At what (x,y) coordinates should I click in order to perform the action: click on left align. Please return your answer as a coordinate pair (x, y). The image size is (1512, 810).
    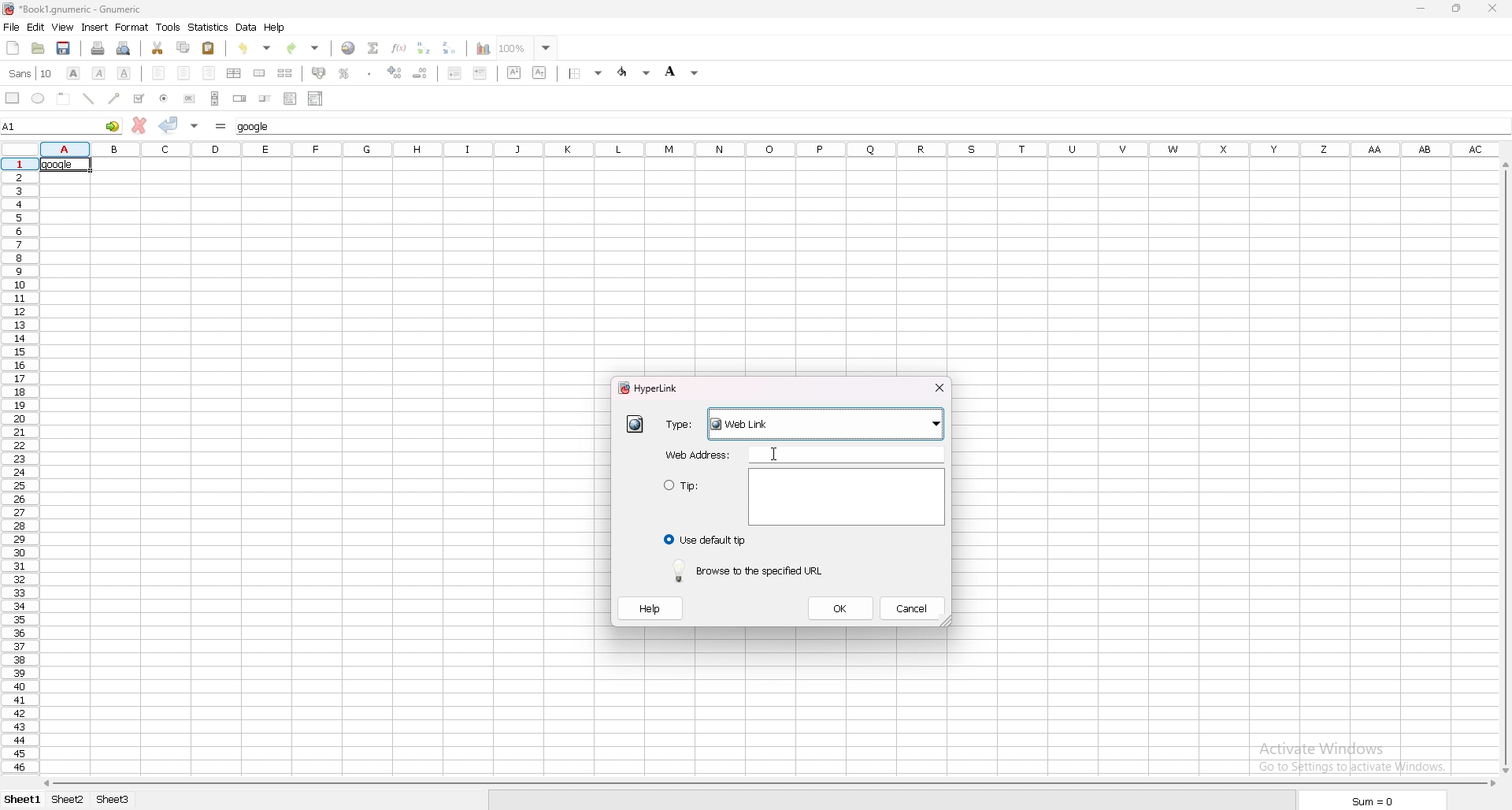
    Looking at the image, I should click on (158, 72).